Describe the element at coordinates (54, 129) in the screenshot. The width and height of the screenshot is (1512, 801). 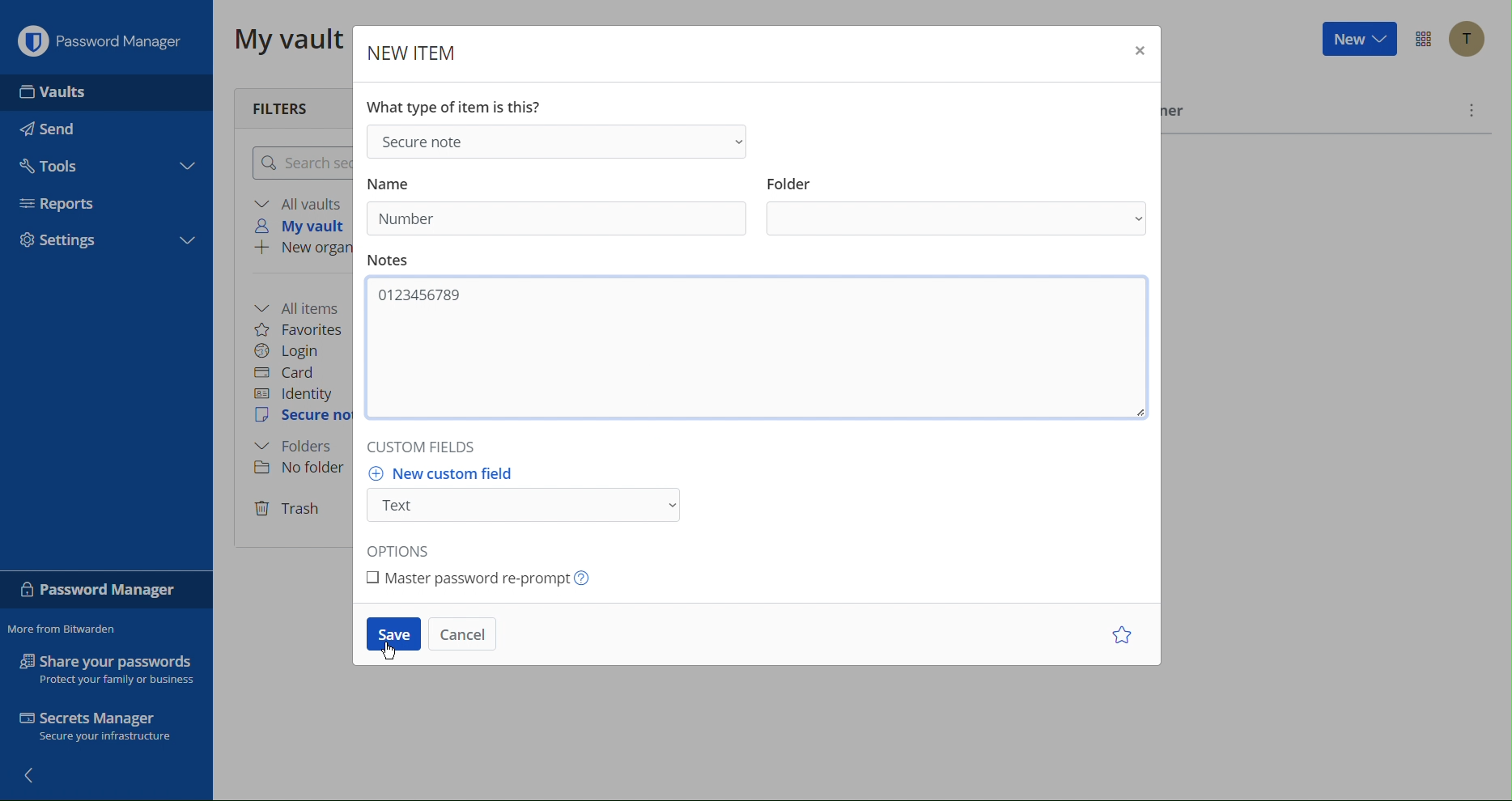
I see `Send` at that location.